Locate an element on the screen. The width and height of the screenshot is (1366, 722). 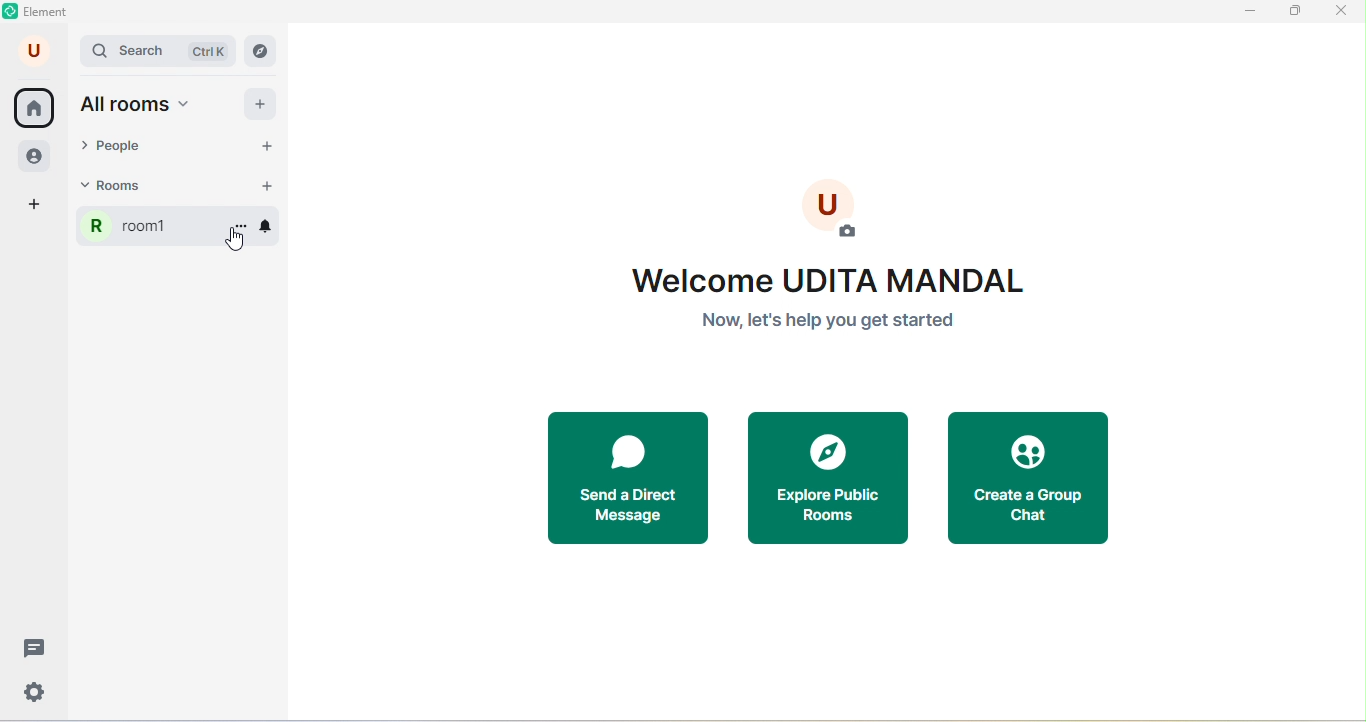
room1 is located at coordinates (132, 231).